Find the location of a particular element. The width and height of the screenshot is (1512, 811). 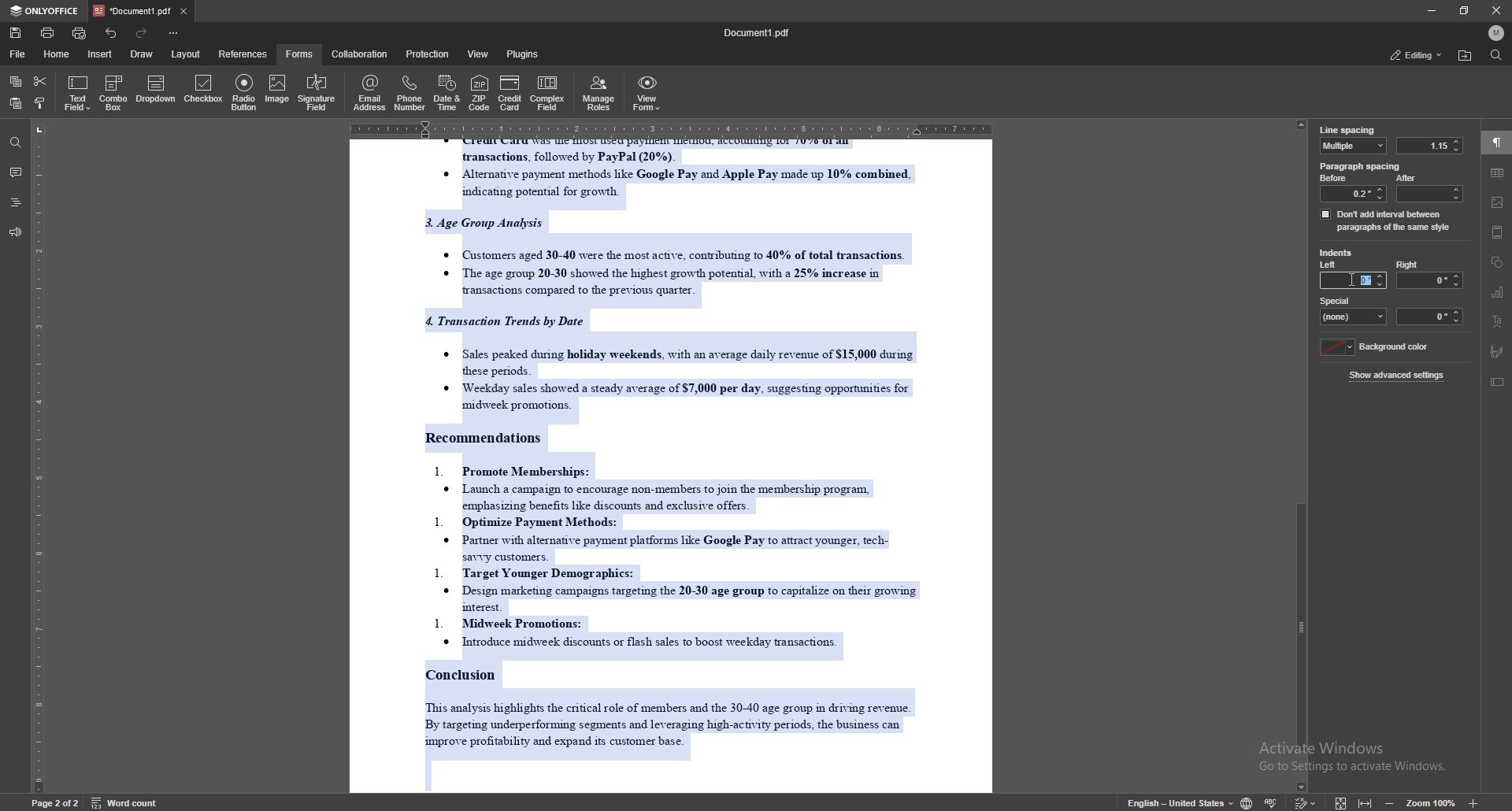

combo box is located at coordinates (113, 93).